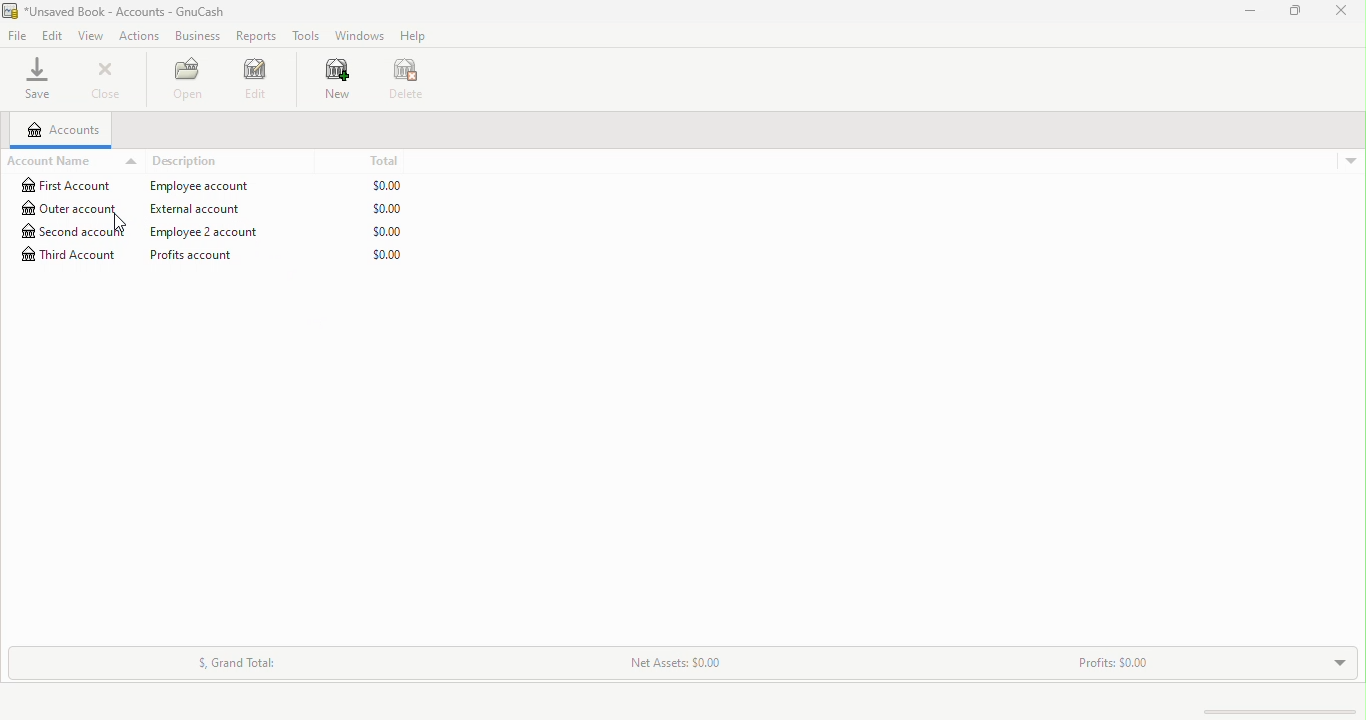  Describe the element at coordinates (215, 208) in the screenshot. I see `Outer account` at that location.